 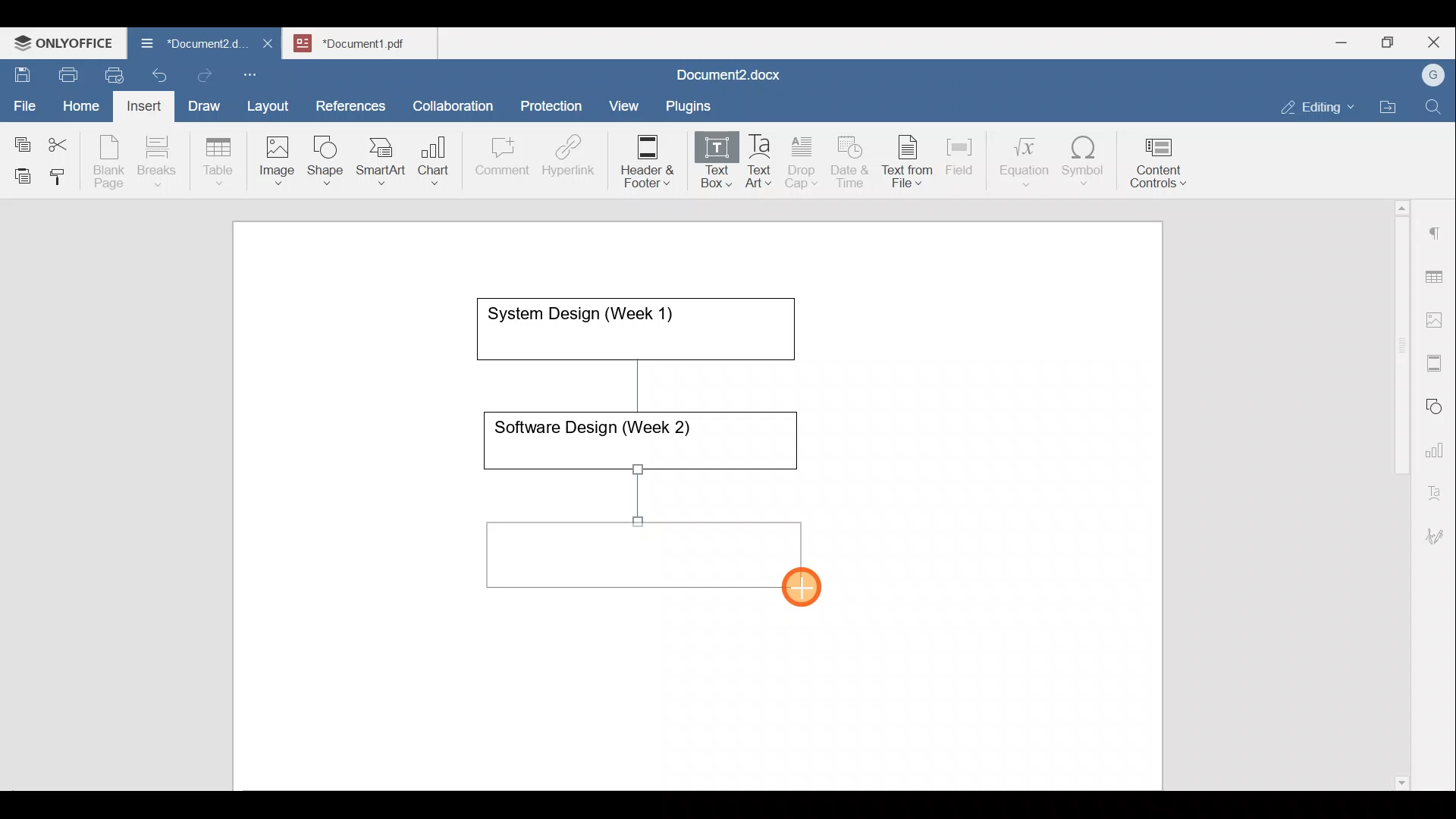 What do you see at coordinates (1437, 404) in the screenshot?
I see `Shapes settings` at bounding box center [1437, 404].